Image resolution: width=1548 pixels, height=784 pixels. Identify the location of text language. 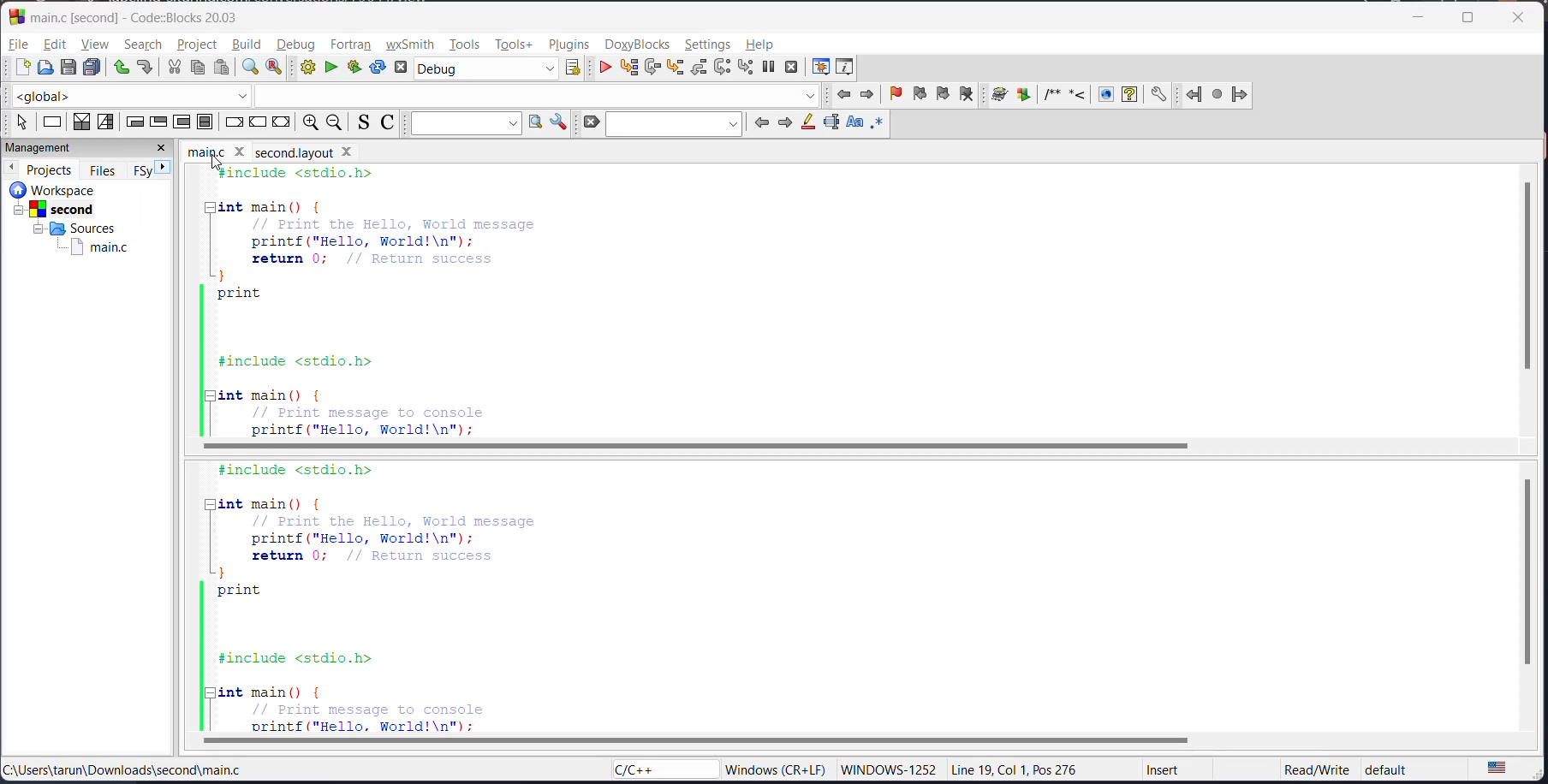
(1504, 767).